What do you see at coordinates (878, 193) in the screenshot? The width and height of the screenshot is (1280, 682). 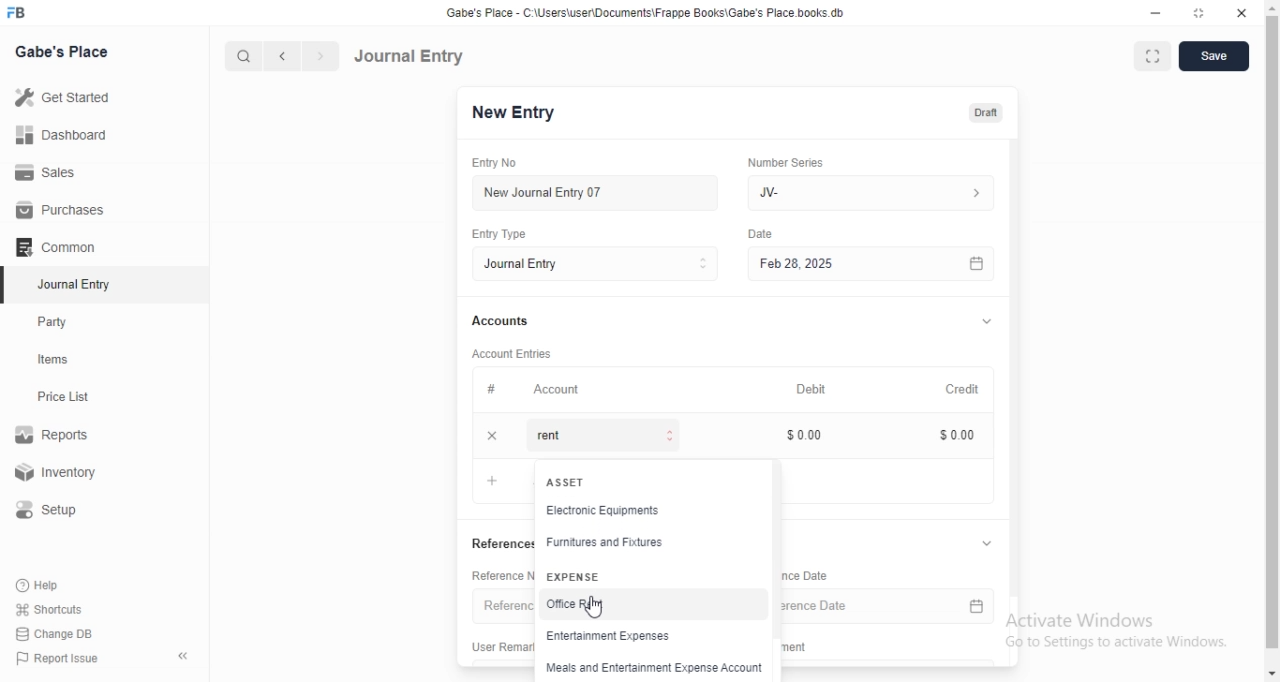 I see `JV-` at bounding box center [878, 193].